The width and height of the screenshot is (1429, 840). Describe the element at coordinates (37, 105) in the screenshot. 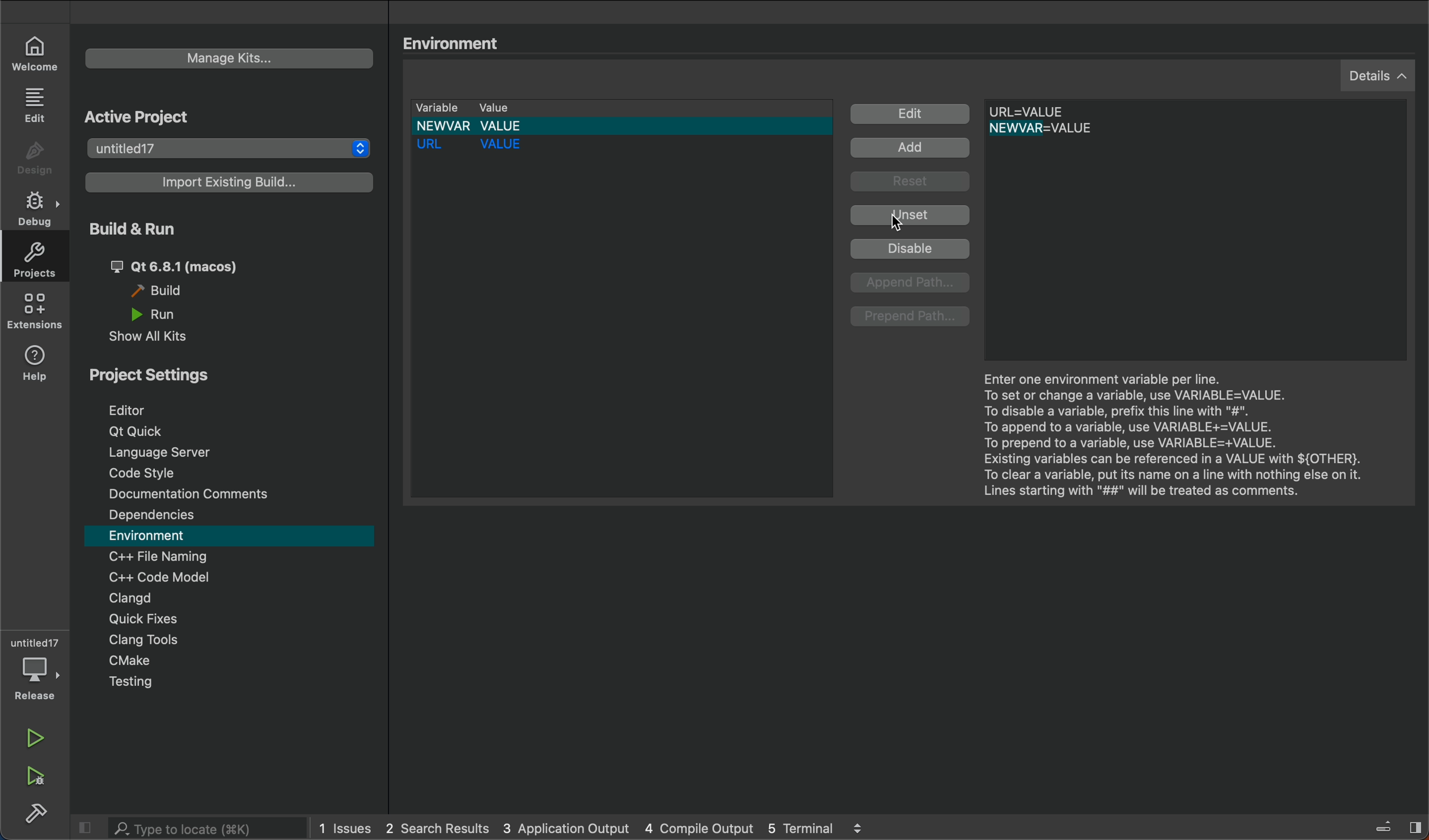

I see `edit` at that location.